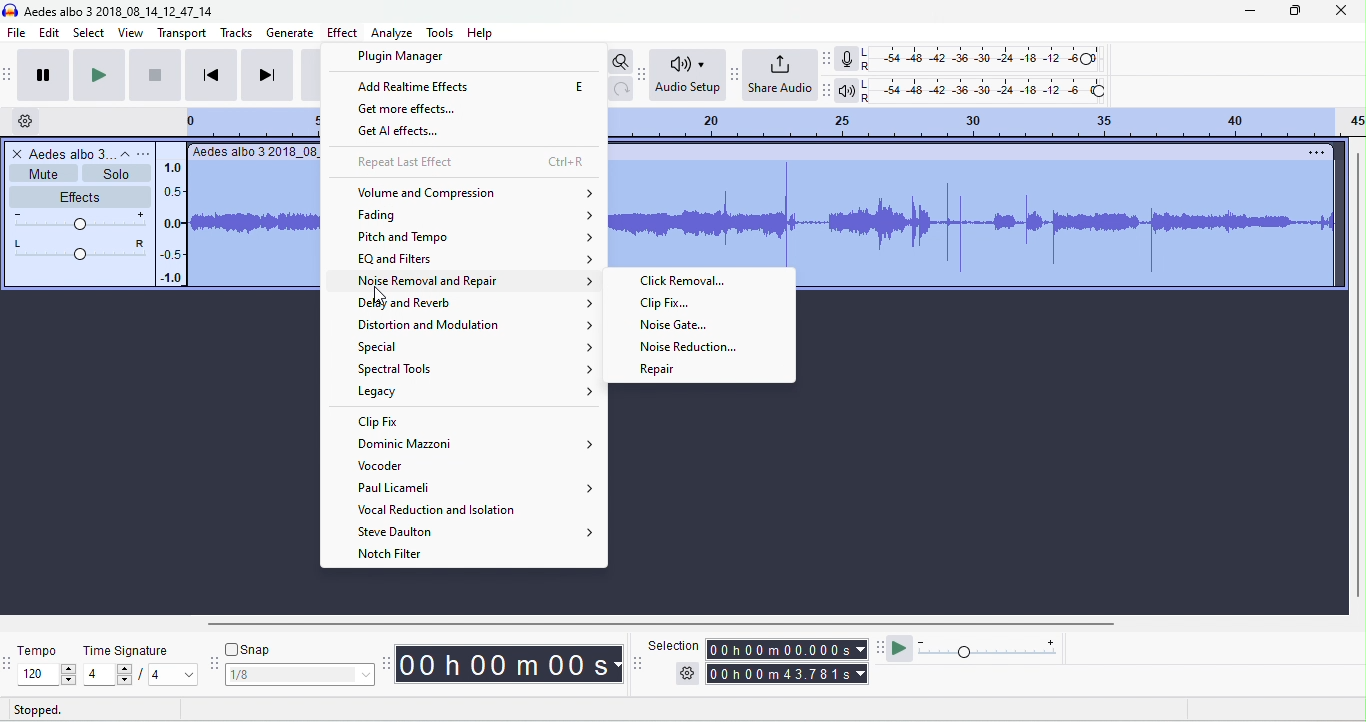  What do you see at coordinates (879, 651) in the screenshot?
I see `play at speed tool bra` at bounding box center [879, 651].